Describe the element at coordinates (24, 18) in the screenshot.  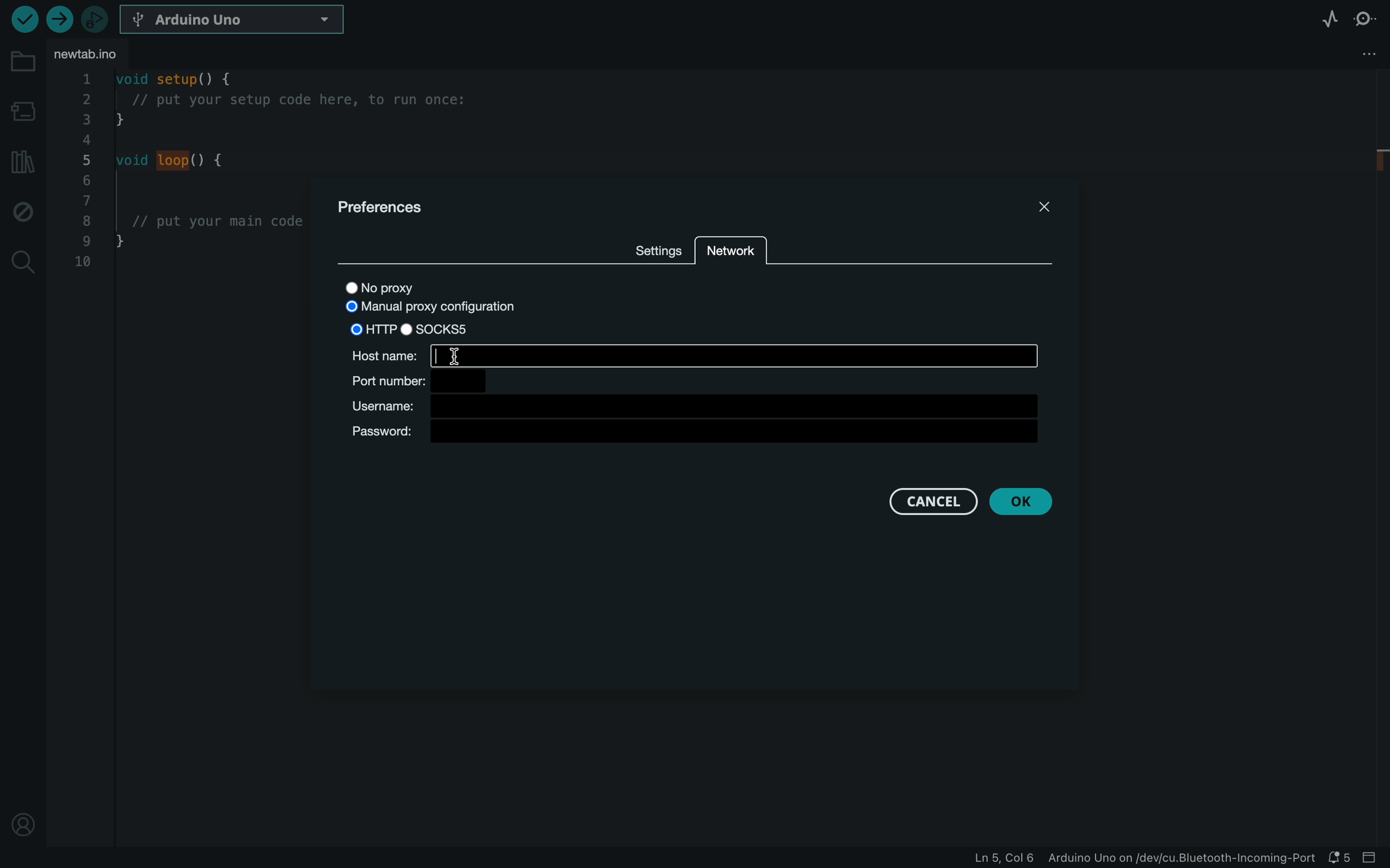
I see `verify` at that location.